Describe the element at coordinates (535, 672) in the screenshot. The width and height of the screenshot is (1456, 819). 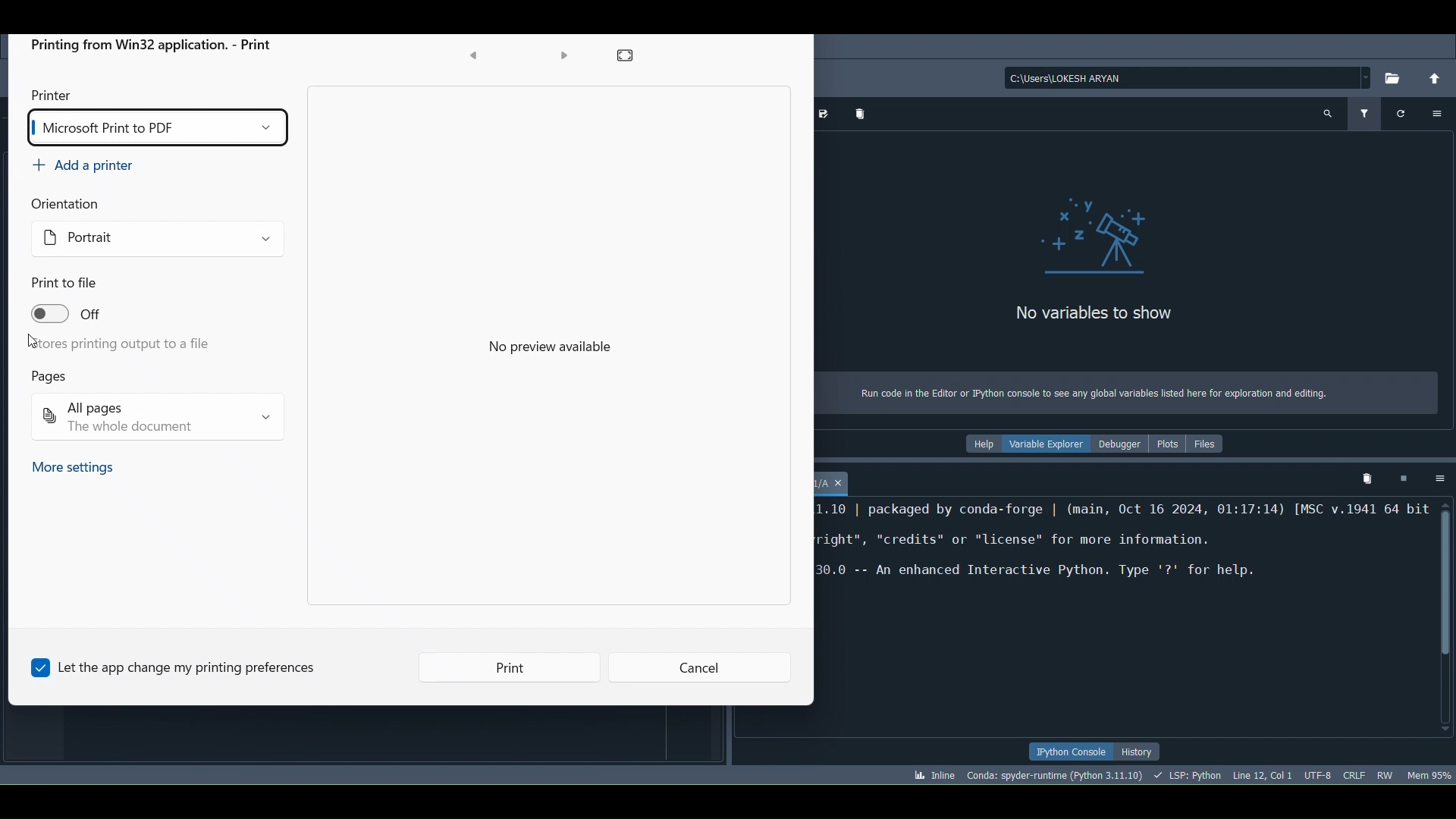
I see `Print` at that location.